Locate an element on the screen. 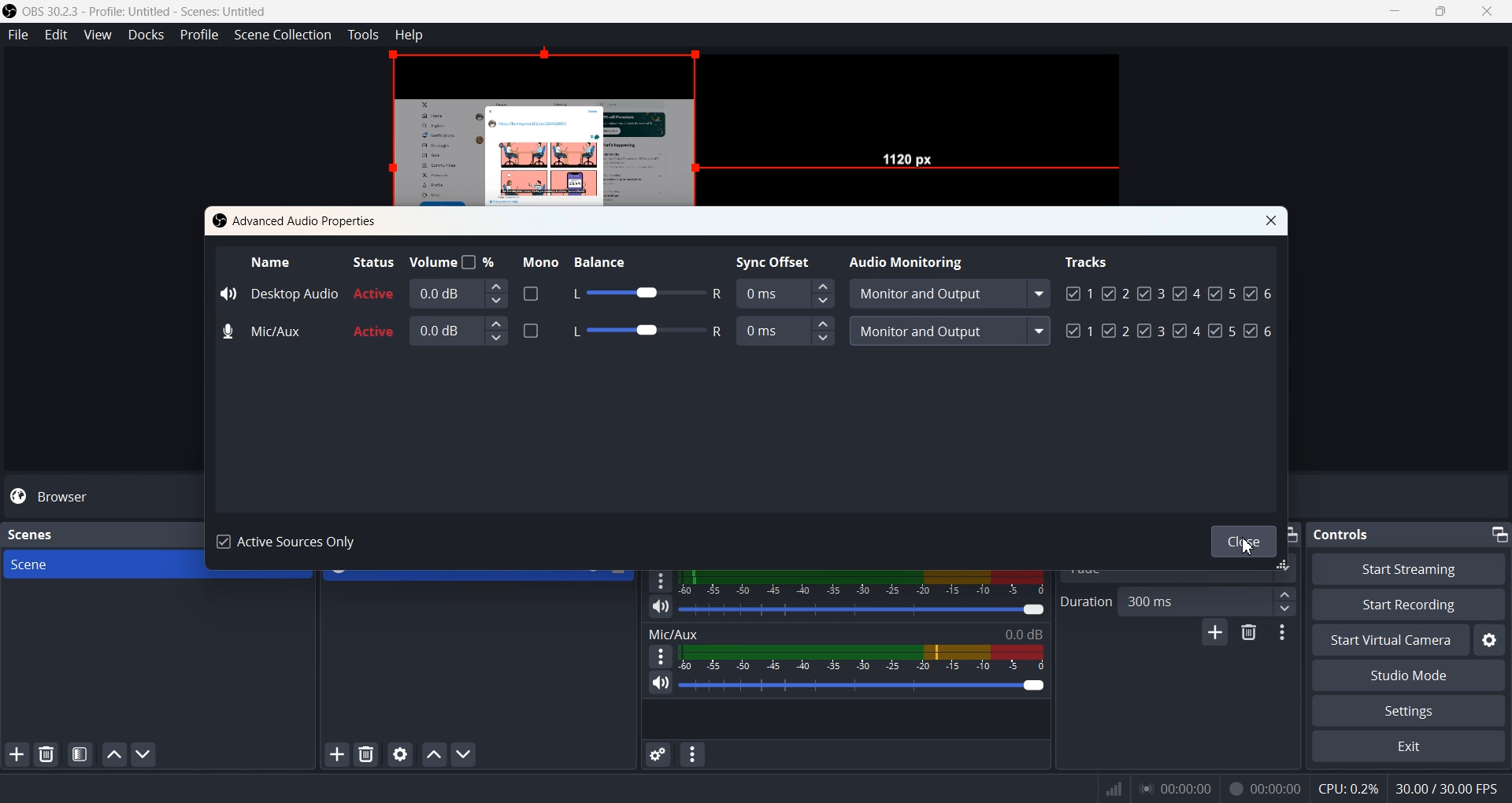 This screenshot has width=1512, height=803. Move sources up is located at coordinates (434, 754).